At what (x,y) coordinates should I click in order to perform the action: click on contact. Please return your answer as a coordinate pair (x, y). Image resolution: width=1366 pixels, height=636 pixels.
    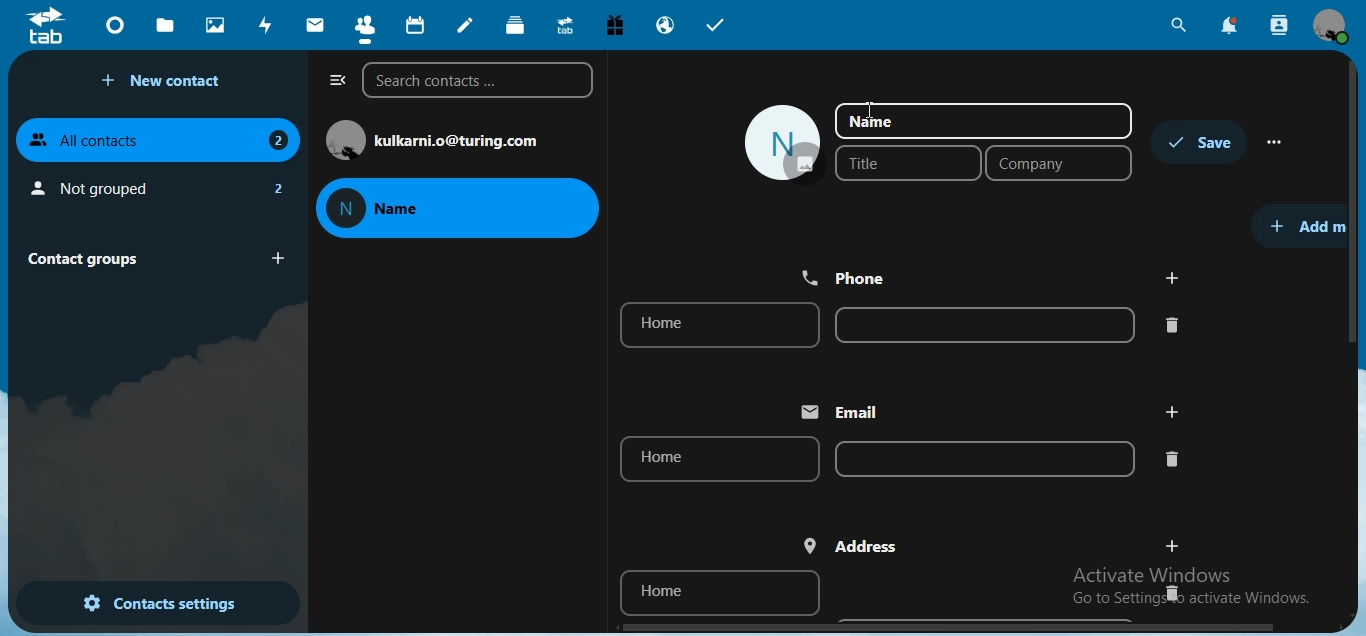
    Looking at the image, I should click on (364, 24).